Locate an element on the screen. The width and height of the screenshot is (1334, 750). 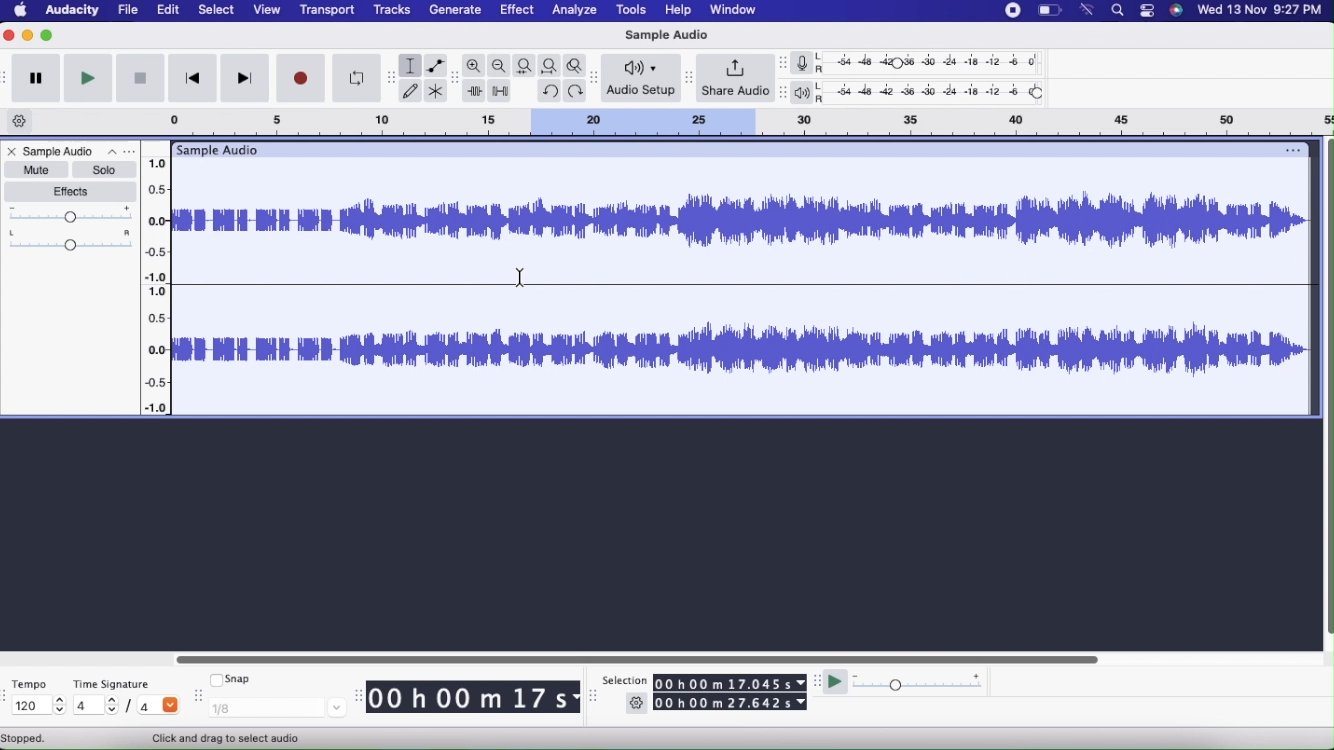
Zoom out is located at coordinates (500, 66).